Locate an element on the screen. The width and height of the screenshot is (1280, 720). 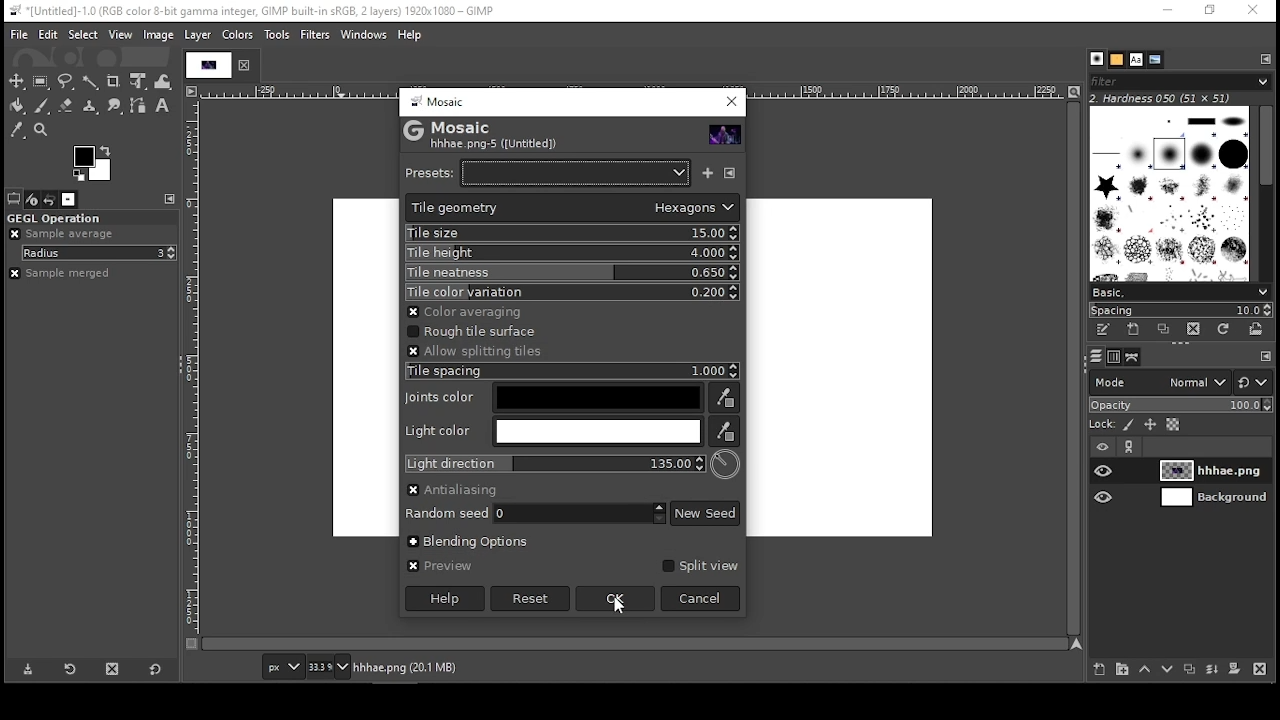
brushes is located at coordinates (1097, 59).